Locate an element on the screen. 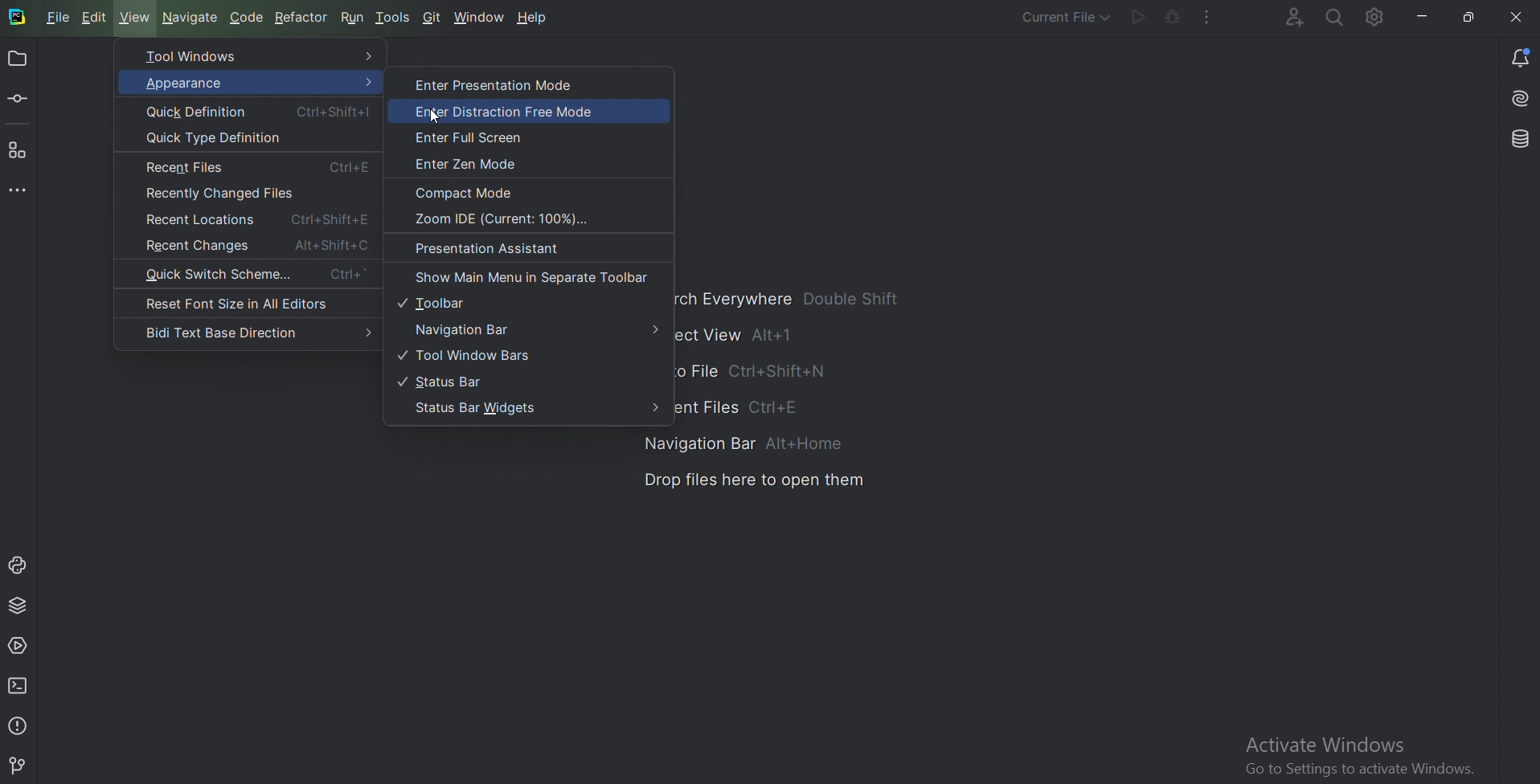 The height and width of the screenshot is (784, 1540). Pycharm is located at coordinates (16, 18).